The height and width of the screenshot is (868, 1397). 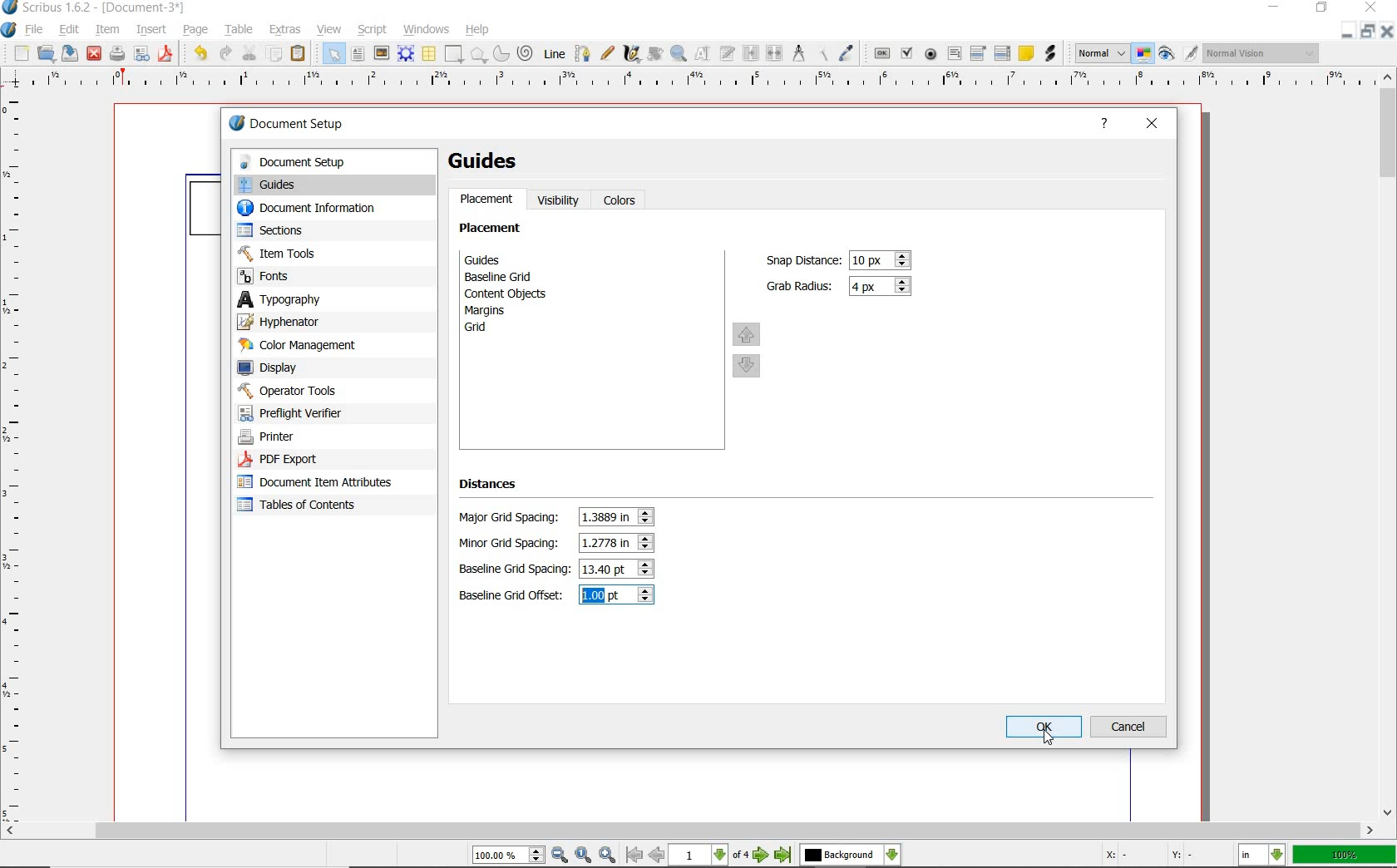 What do you see at coordinates (107, 31) in the screenshot?
I see `item` at bounding box center [107, 31].